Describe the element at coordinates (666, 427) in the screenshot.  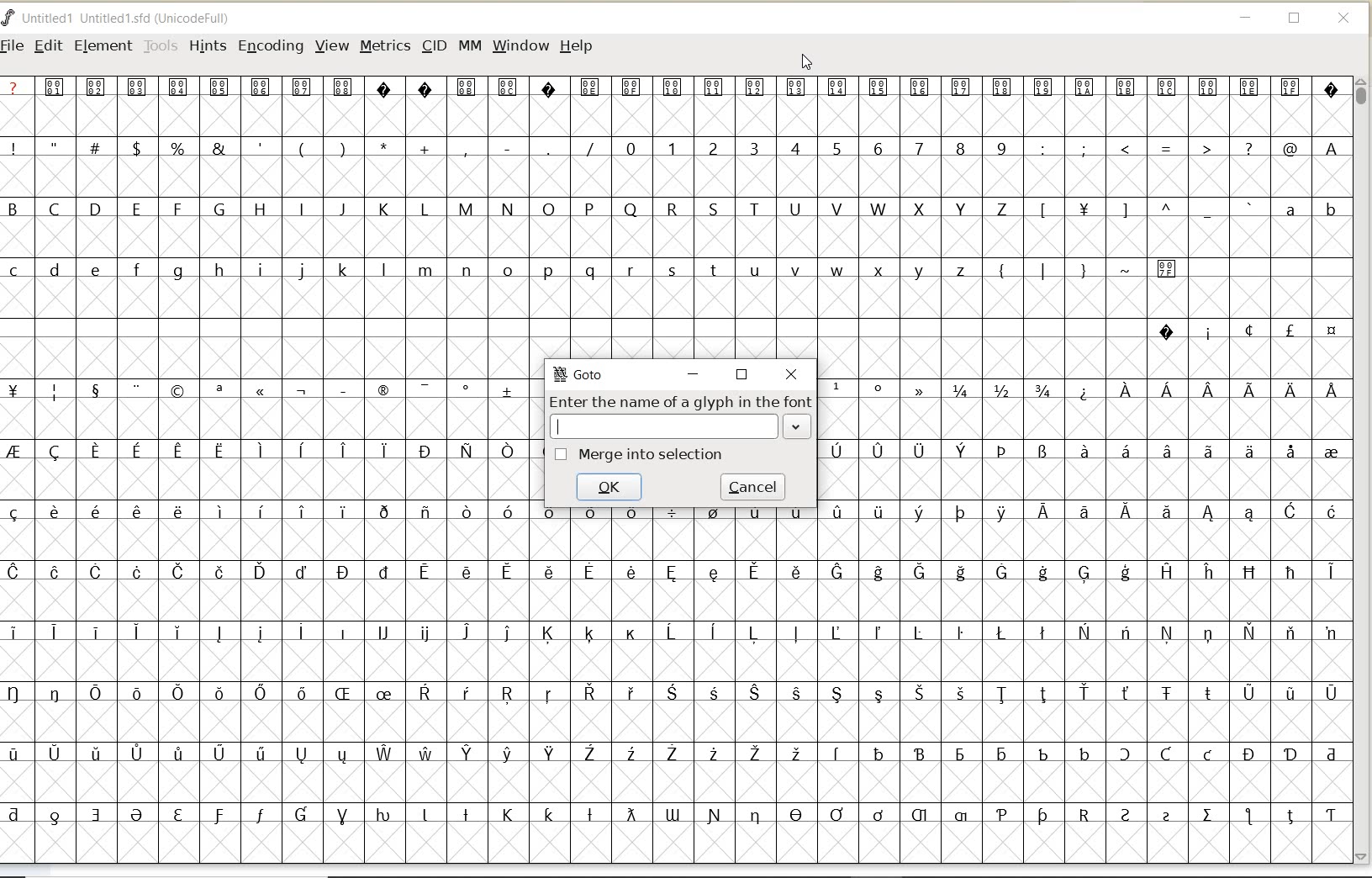
I see `input field` at that location.